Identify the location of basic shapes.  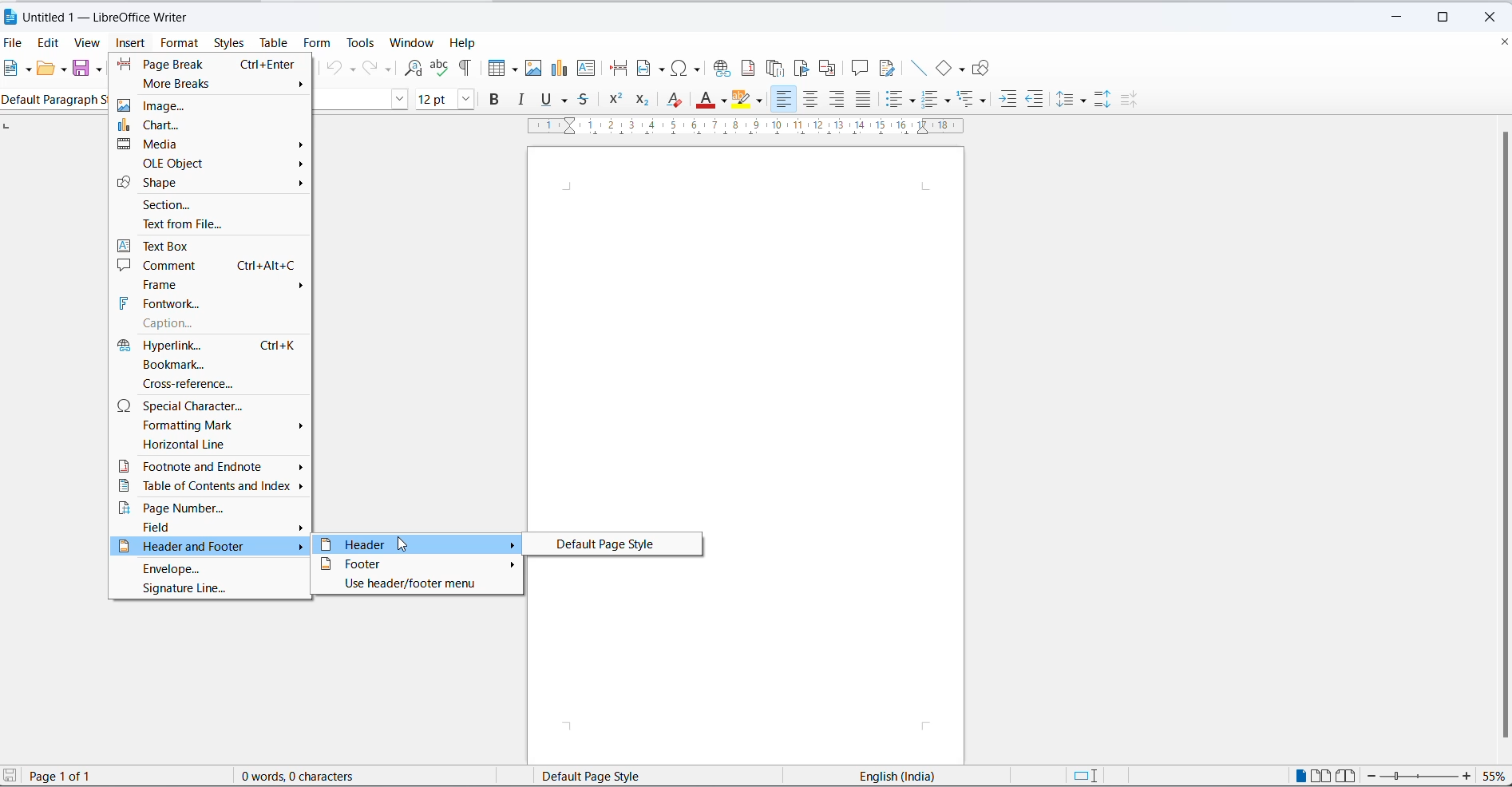
(962, 70).